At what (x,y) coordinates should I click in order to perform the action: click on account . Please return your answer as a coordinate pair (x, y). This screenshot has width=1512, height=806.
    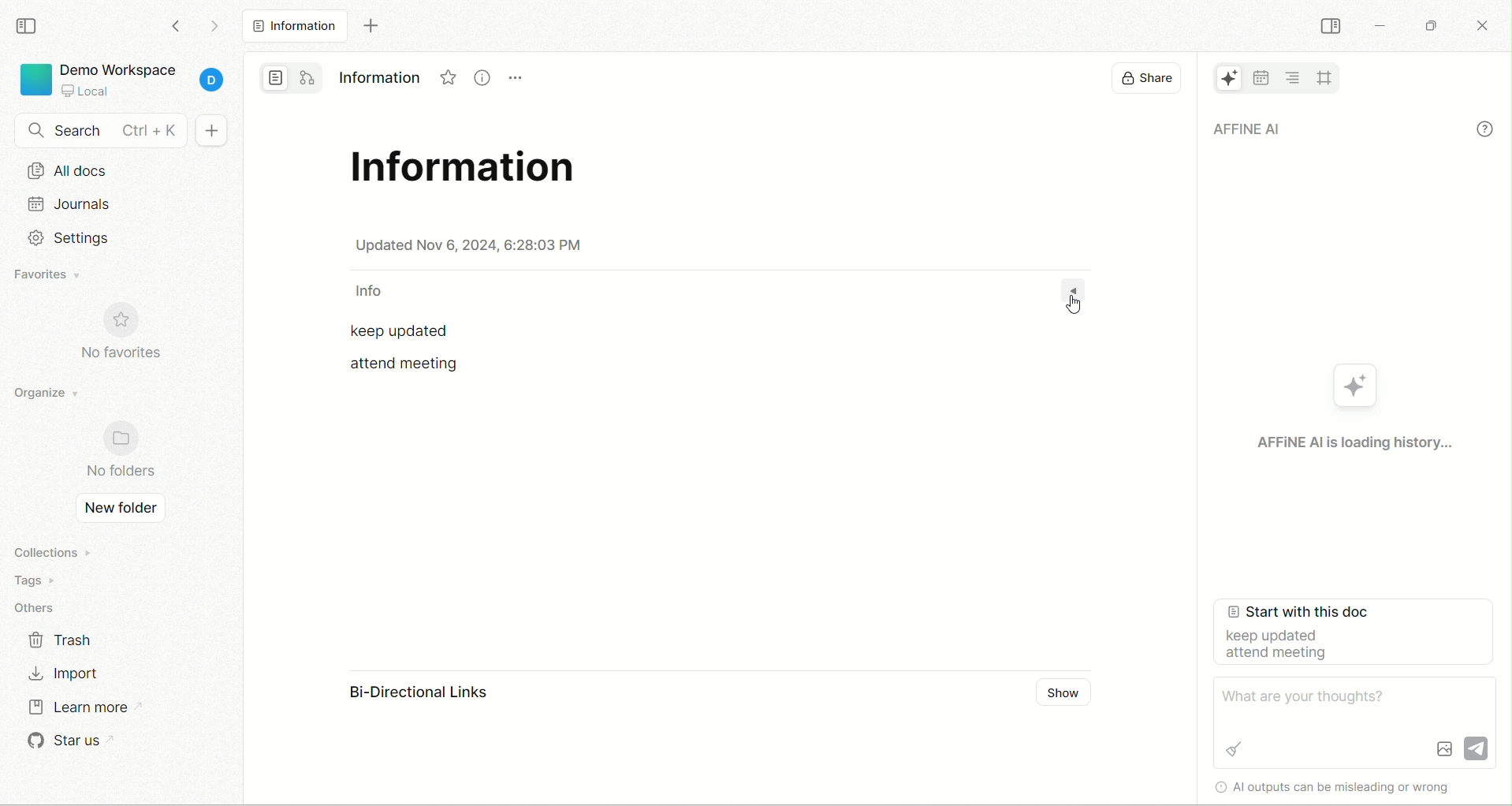
    Looking at the image, I should click on (216, 80).